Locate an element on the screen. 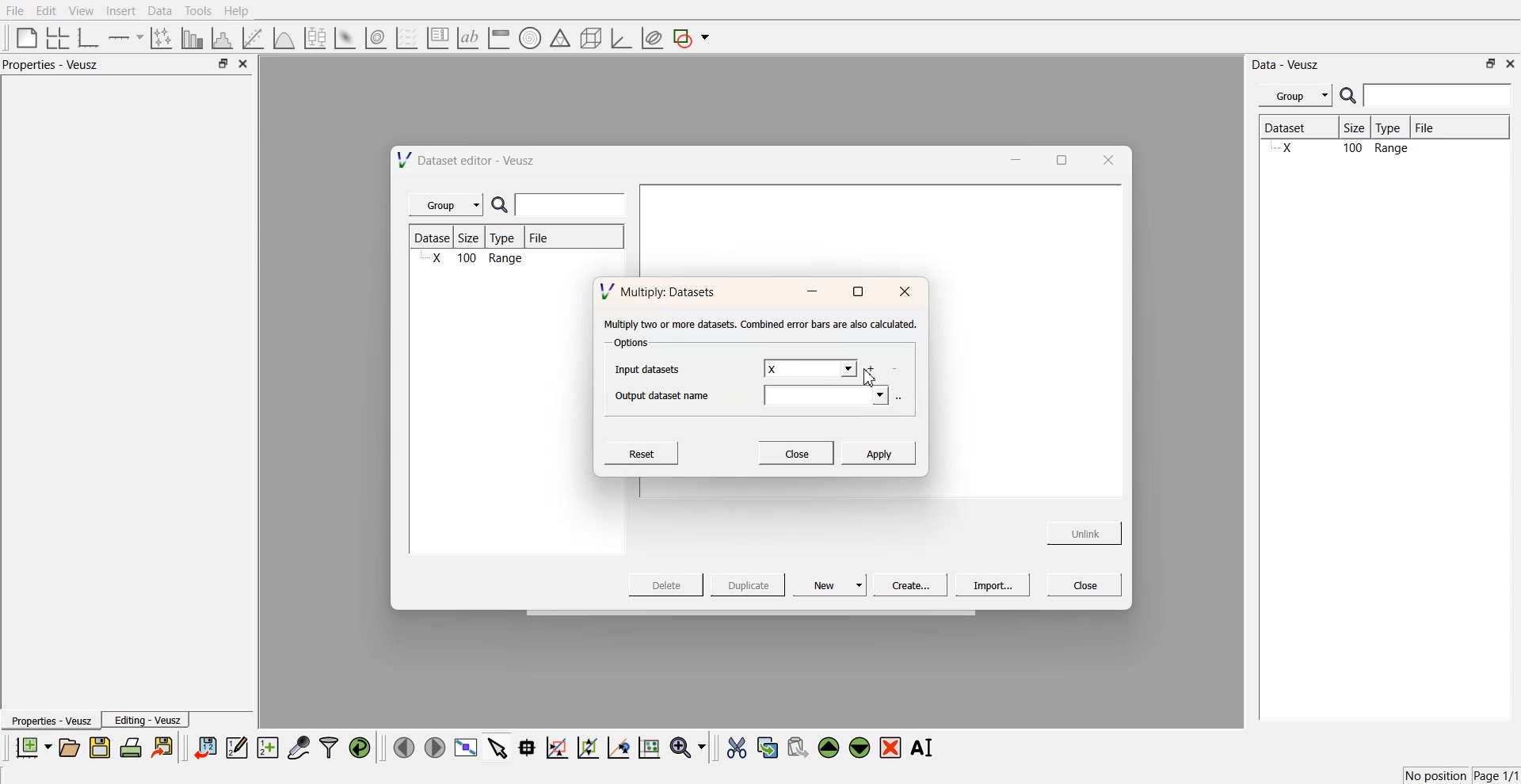 The width and height of the screenshot is (1521, 784). File is located at coordinates (540, 240).